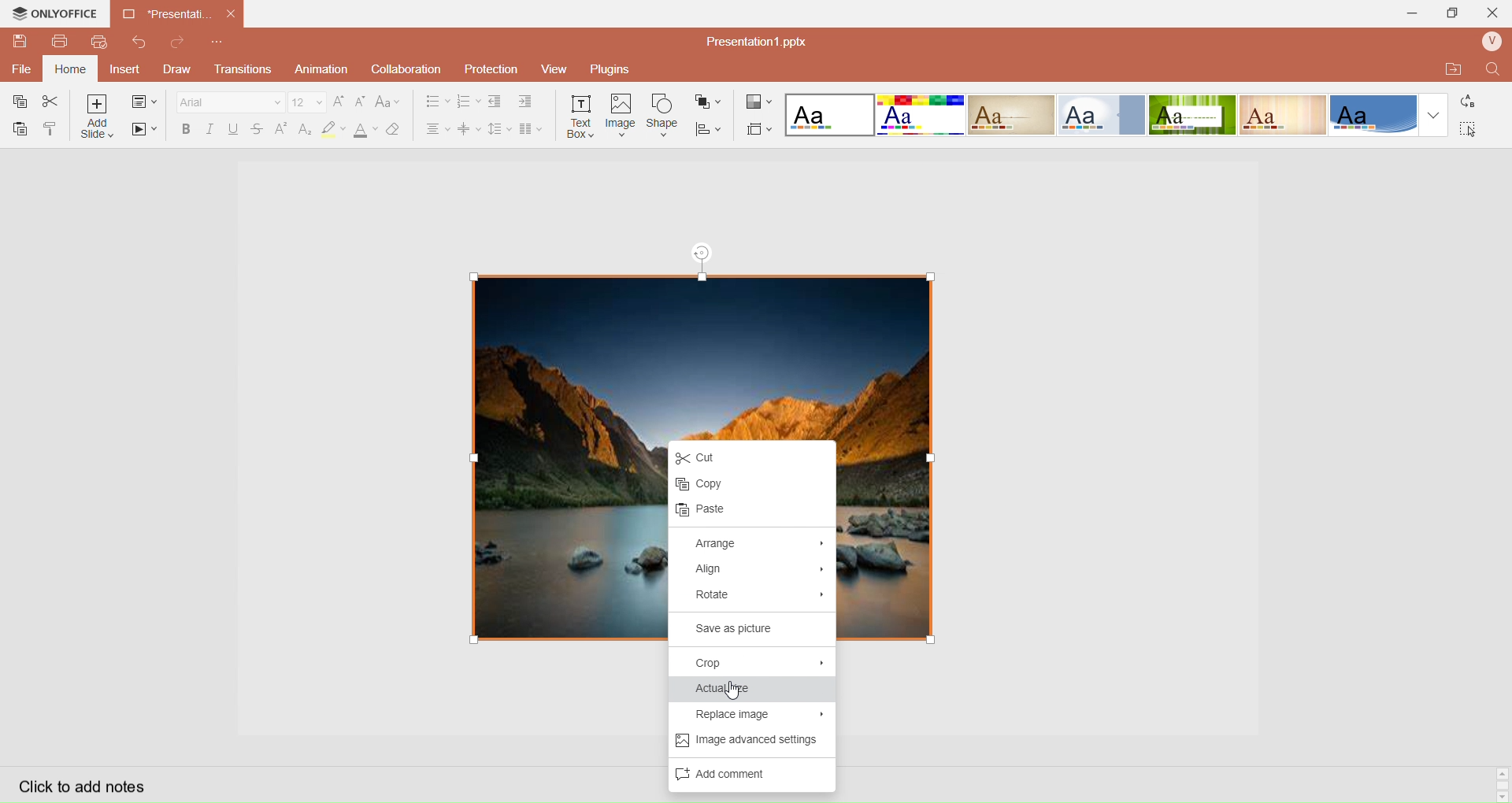  What do you see at coordinates (502, 129) in the screenshot?
I see `Line Spacing` at bounding box center [502, 129].